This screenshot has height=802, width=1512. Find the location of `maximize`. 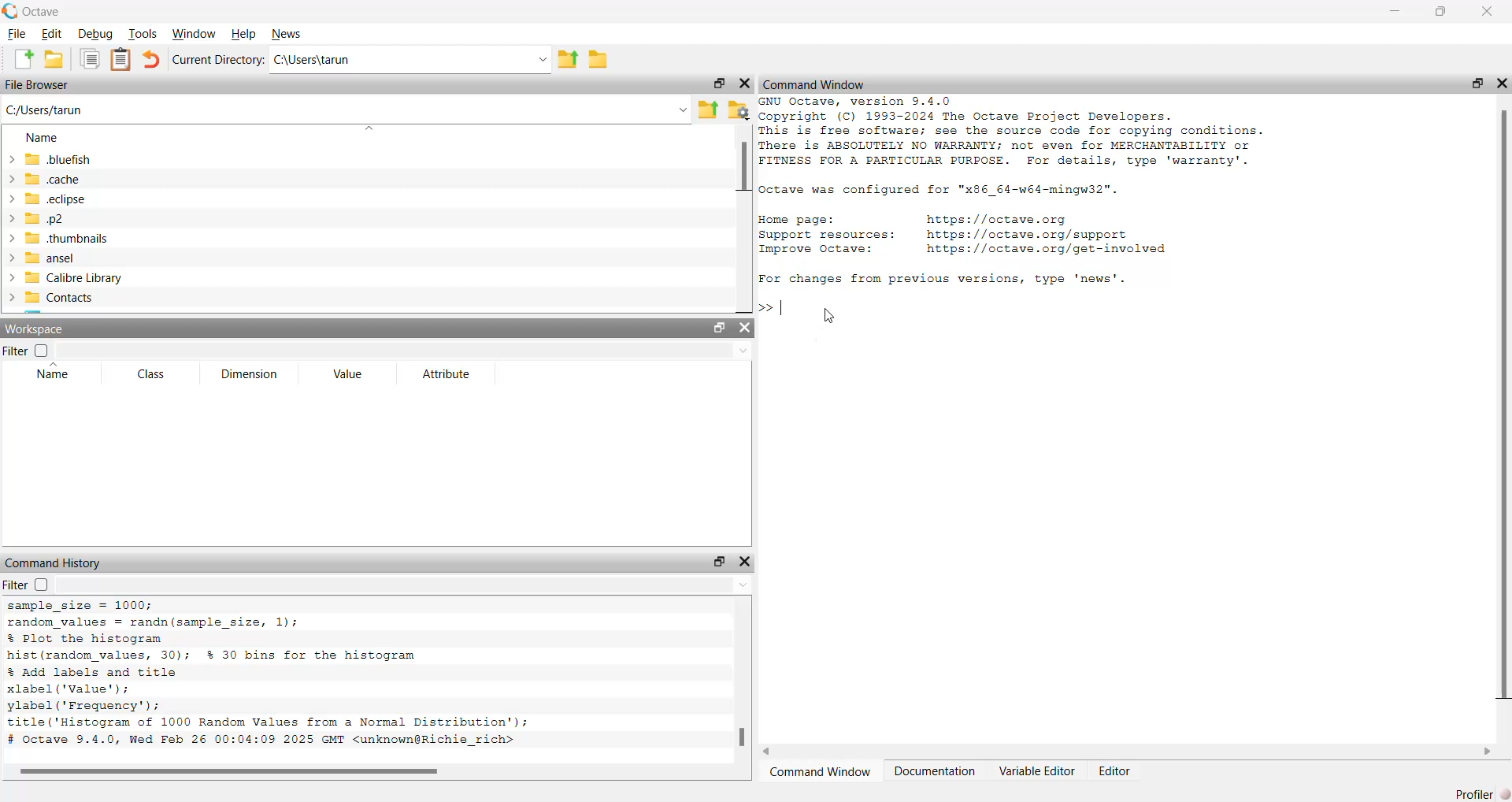

maximize is located at coordinates (1441, 11).